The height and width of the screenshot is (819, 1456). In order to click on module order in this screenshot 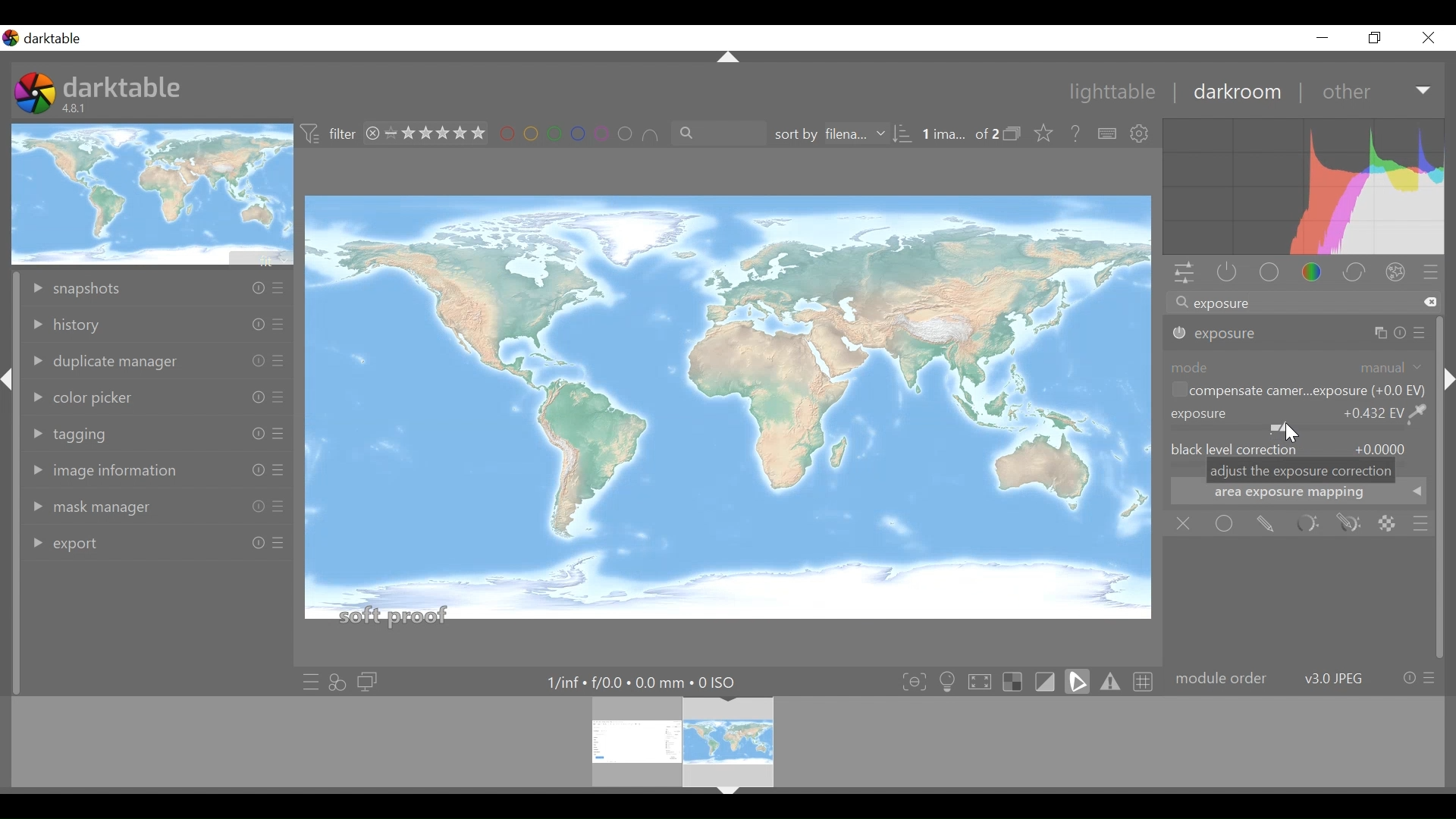, I will do `click(1304, 679)`.